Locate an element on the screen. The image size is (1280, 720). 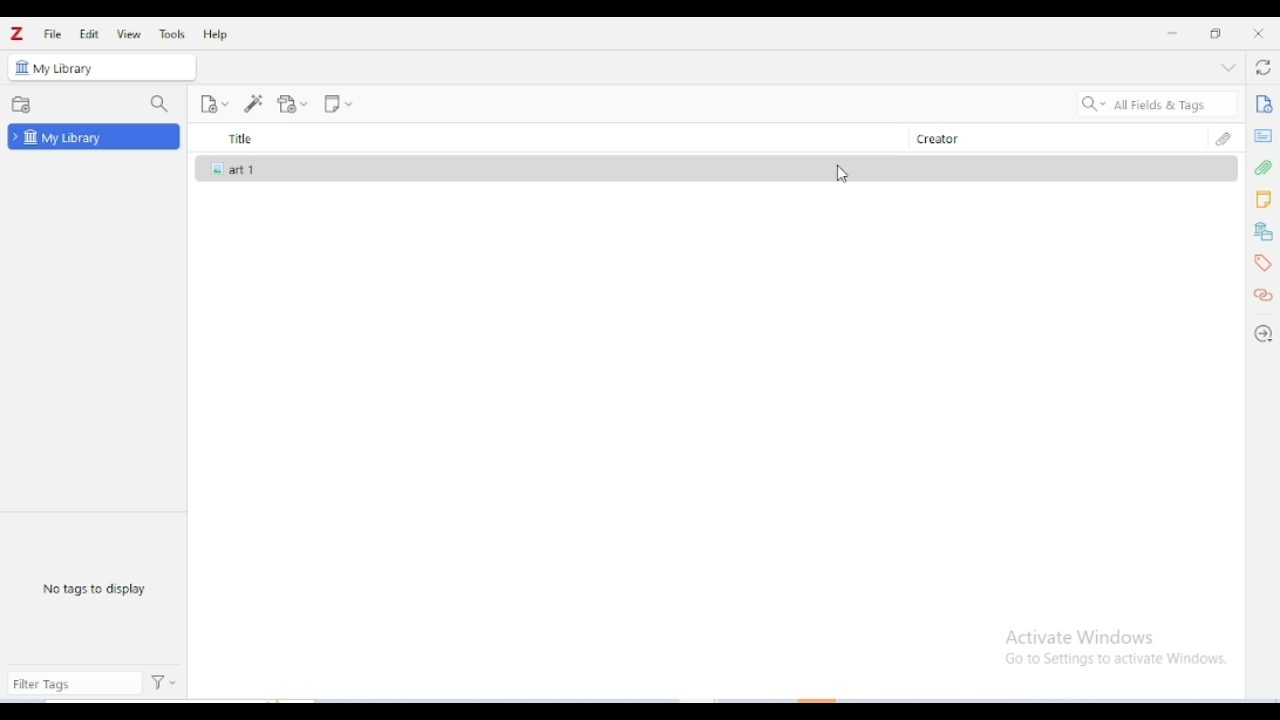
libraries and collections is located at coordinates (1264, 232).